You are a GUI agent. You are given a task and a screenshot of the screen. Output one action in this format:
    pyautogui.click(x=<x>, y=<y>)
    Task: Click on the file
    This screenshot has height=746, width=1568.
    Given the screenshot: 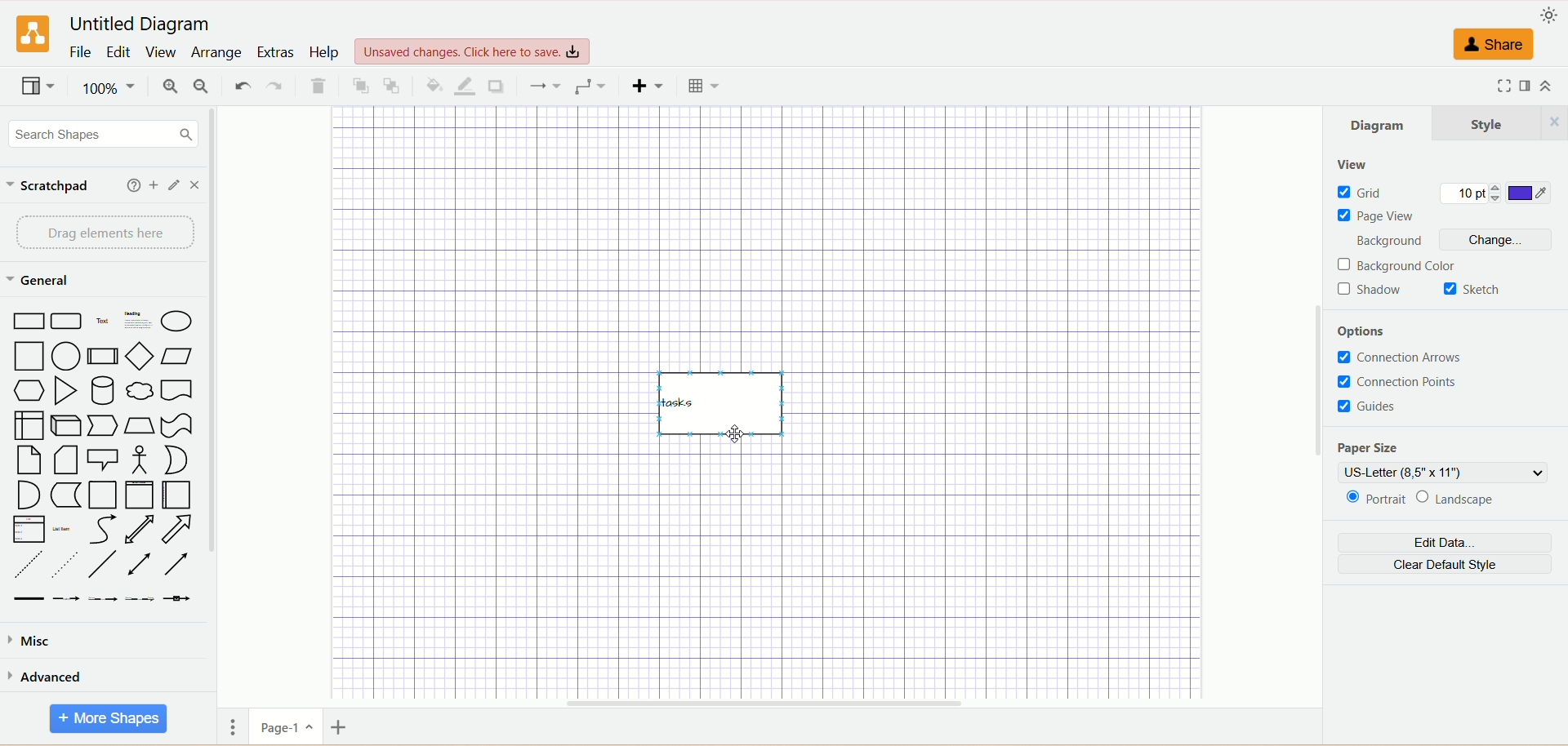 What is the action you would take?
    pyautogui.click(x=82, y=51)
    